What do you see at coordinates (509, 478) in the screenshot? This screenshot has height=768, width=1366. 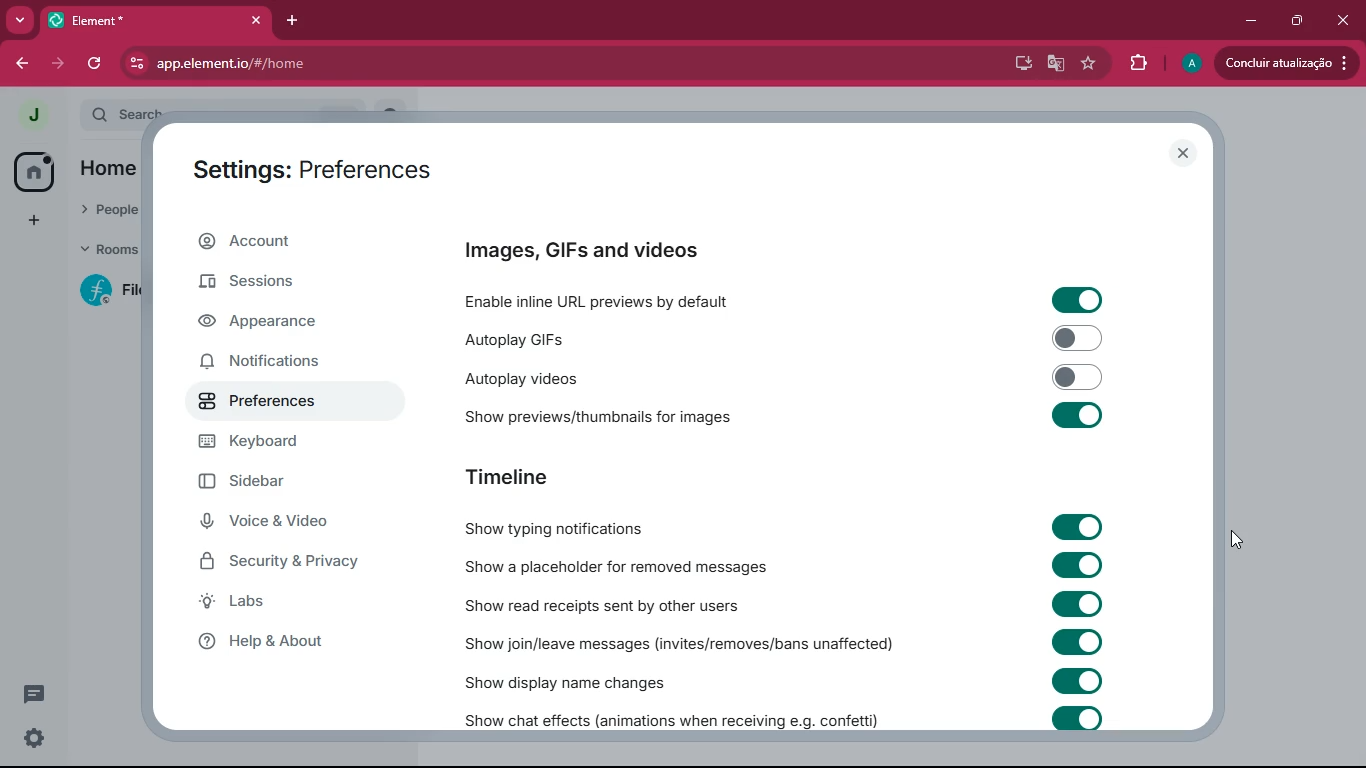 I see `timeline` at bounding box center [509, 478].